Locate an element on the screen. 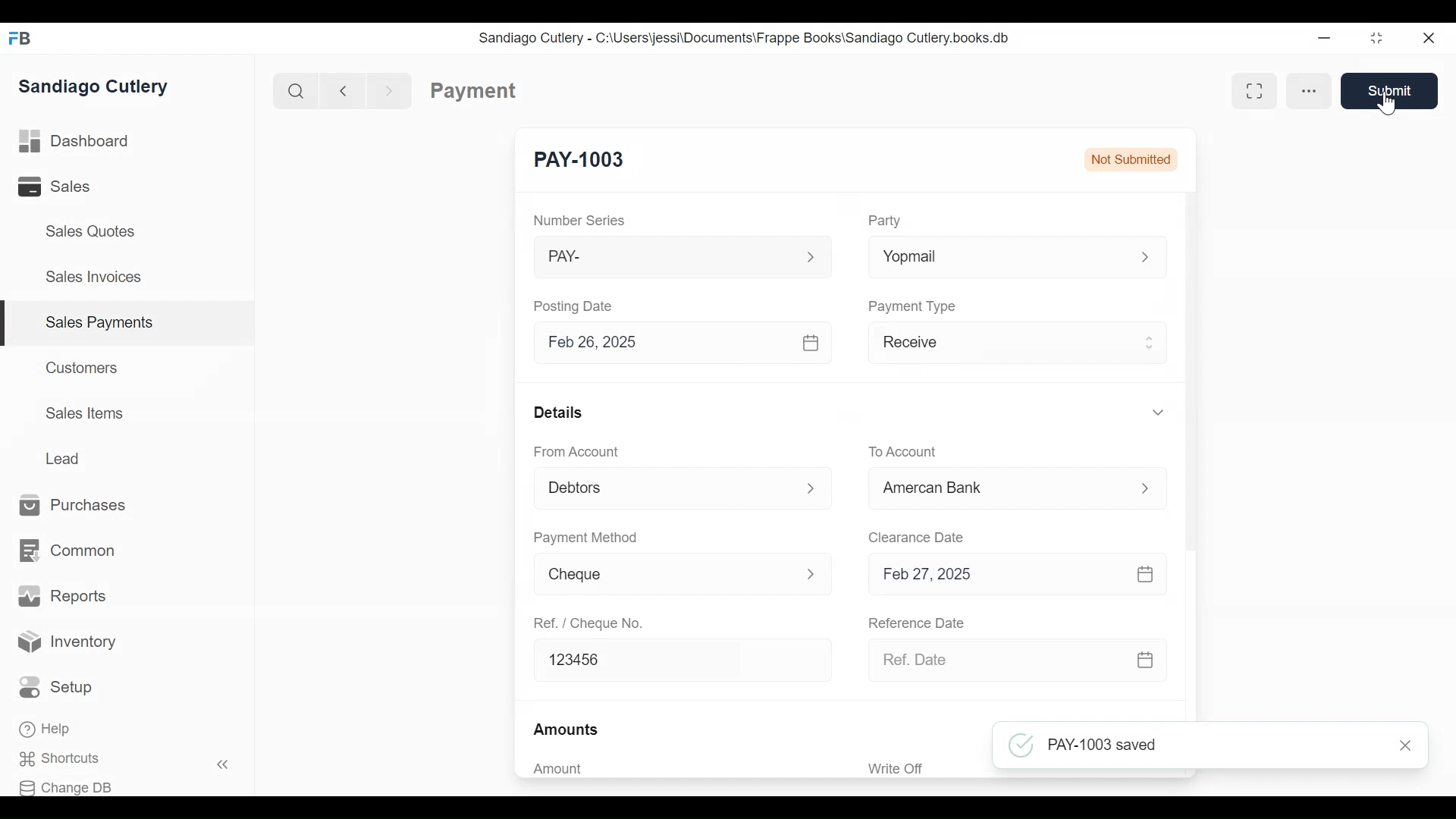  Number Series is located at coordinates (579, 220).